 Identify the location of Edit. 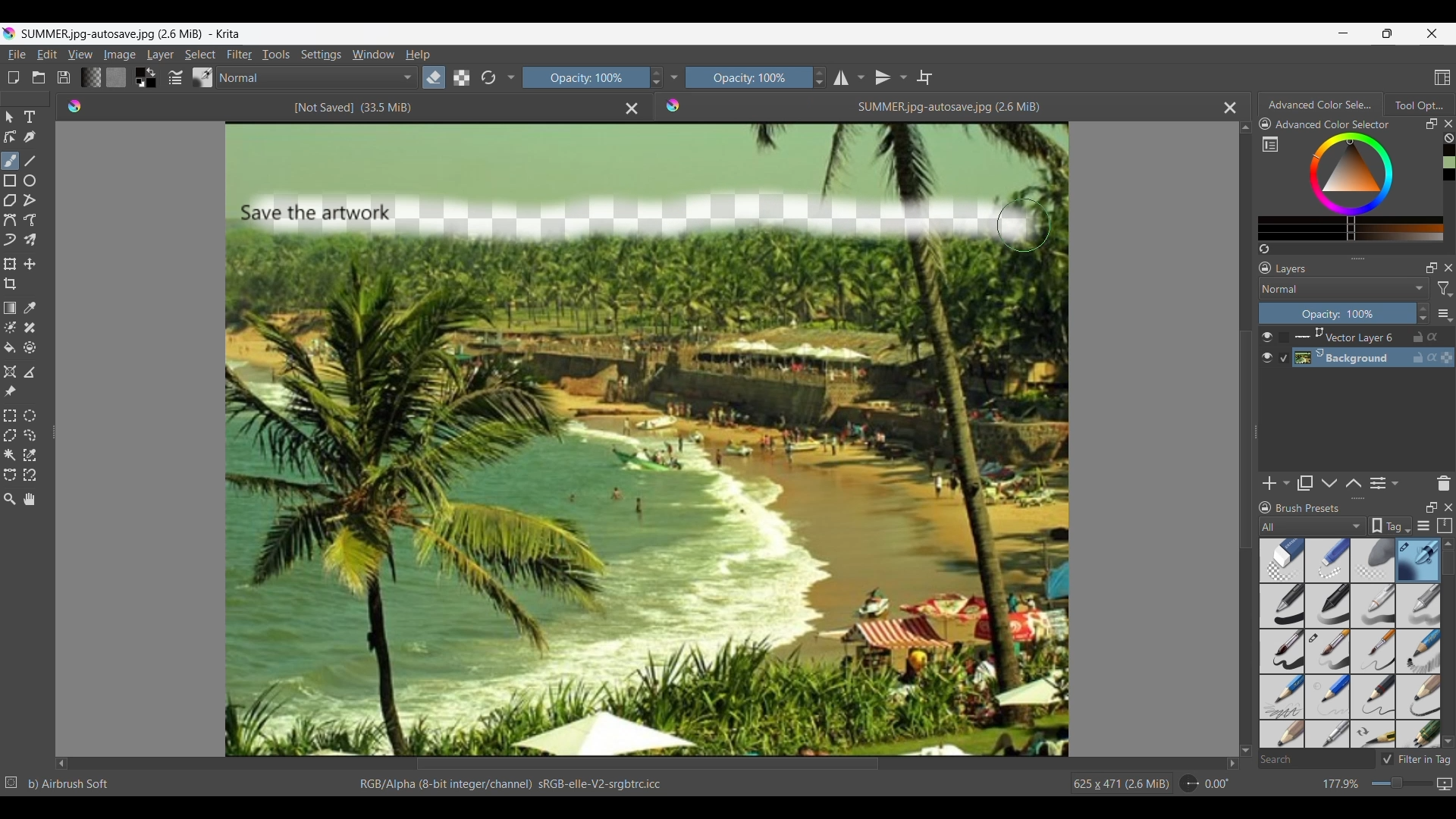
(47, 55).